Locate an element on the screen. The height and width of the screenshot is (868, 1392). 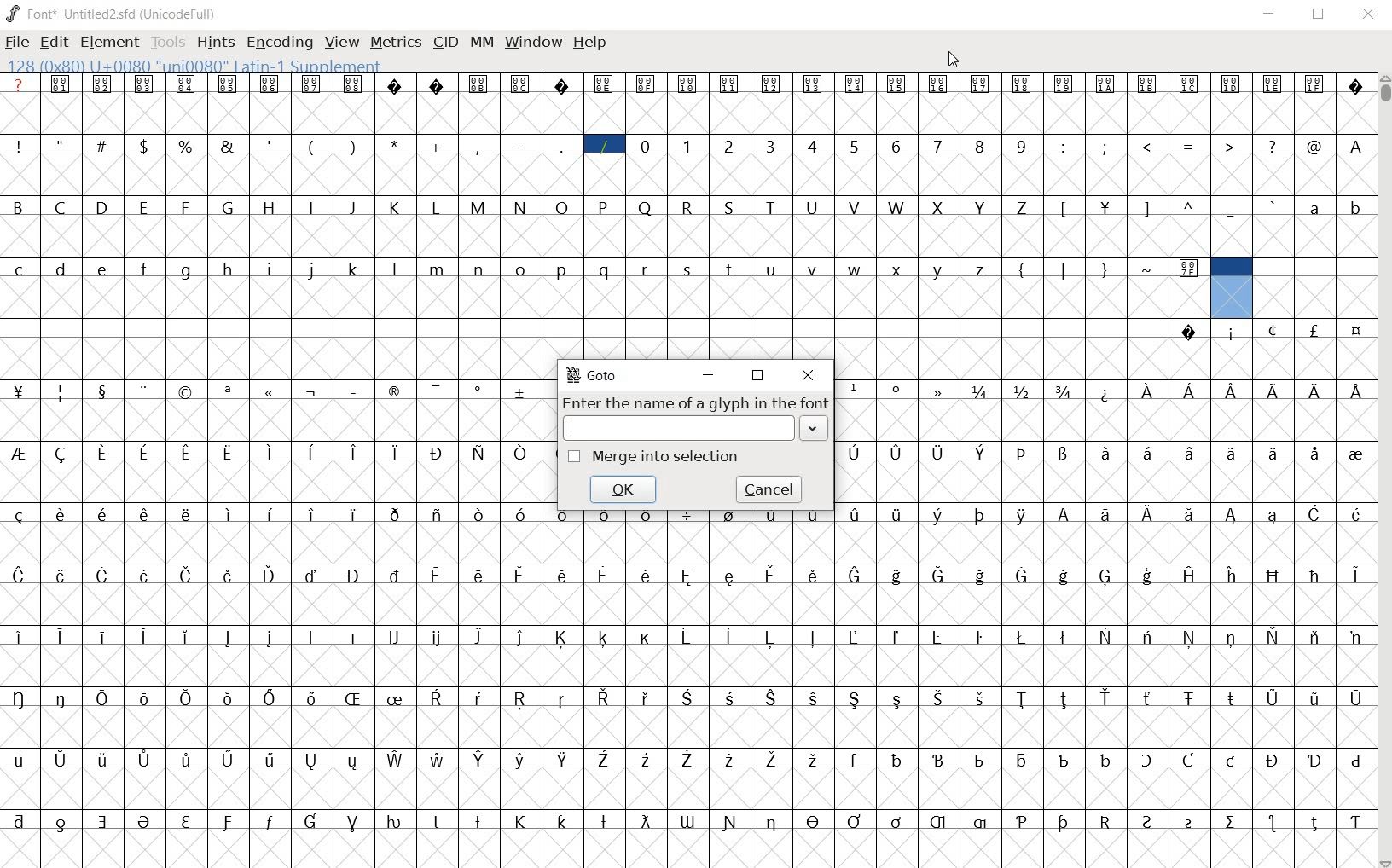
Symbol is located at coordinates (771, 84).